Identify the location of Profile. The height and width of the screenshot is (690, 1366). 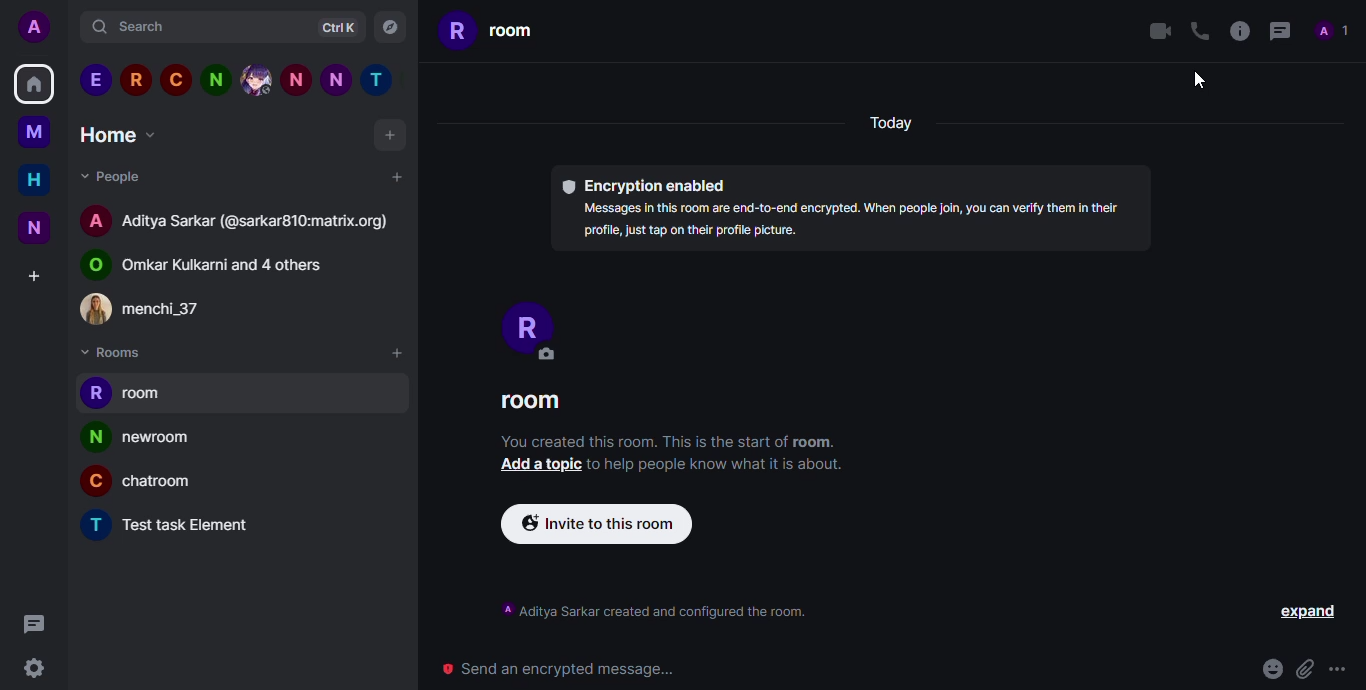
(536, 327).